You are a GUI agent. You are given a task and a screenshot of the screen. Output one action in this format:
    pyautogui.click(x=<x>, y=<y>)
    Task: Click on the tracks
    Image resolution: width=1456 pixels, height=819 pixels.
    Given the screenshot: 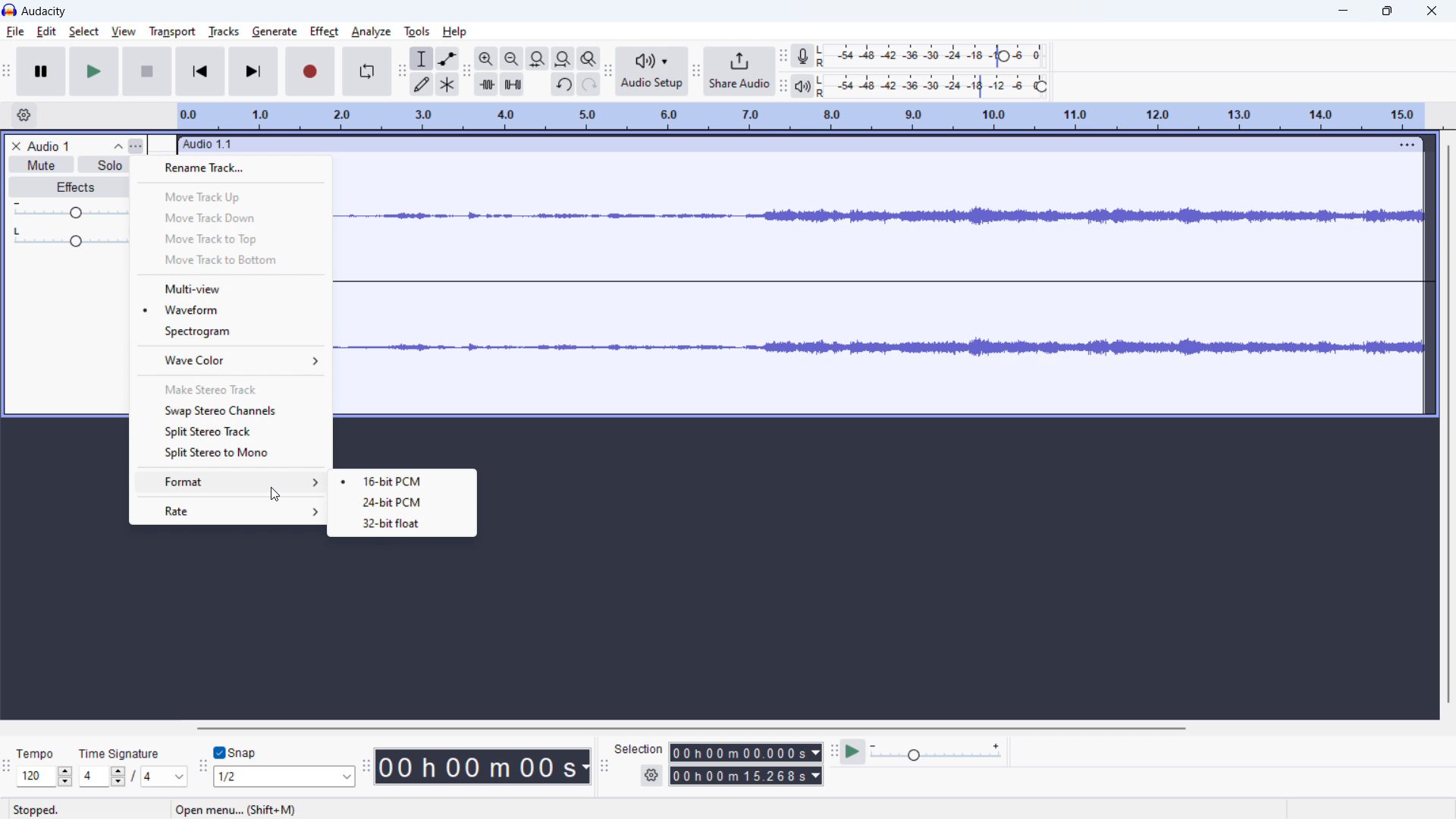 What is the action you would take?
    pyautogui.click(x=225, y=31)
    